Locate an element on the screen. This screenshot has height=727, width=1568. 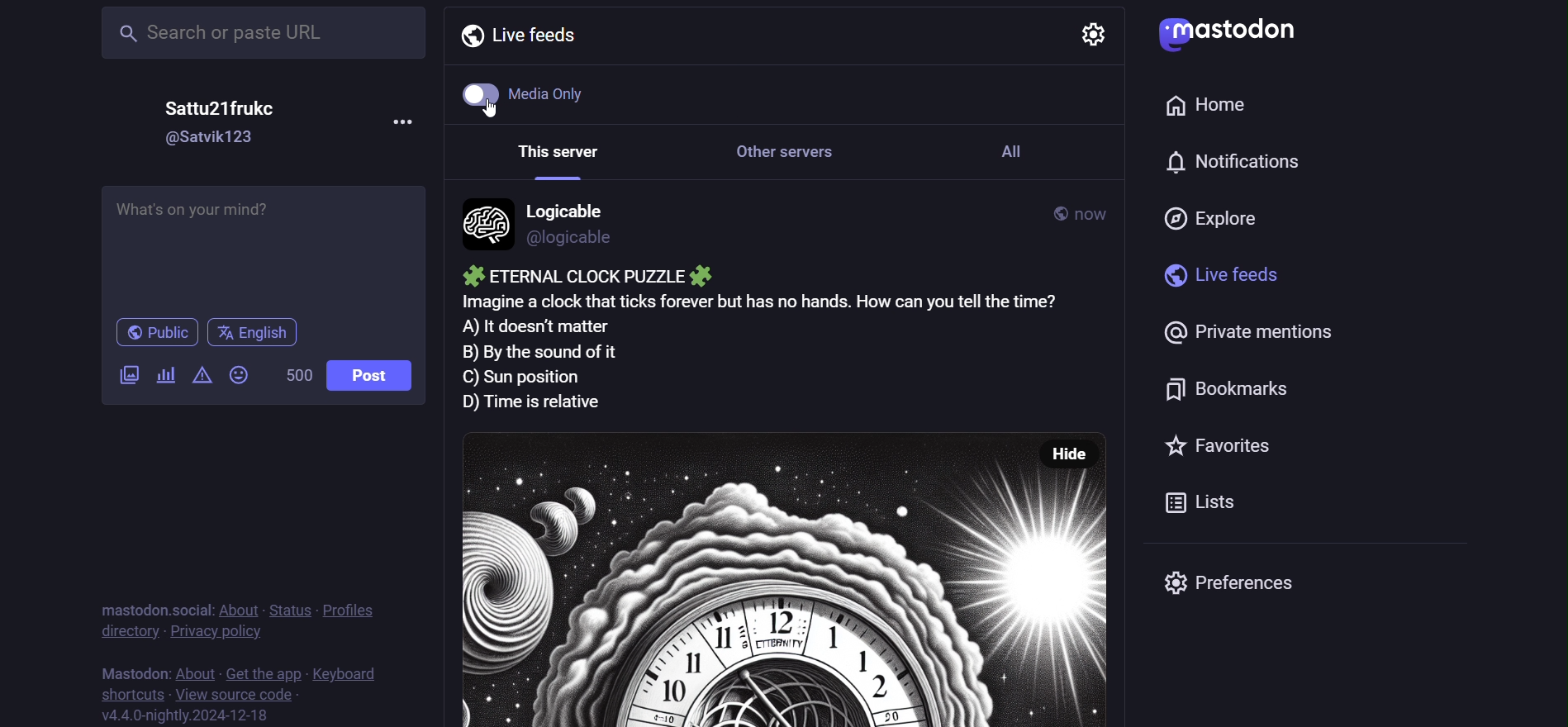
source code is located at coordinates (233, 694).